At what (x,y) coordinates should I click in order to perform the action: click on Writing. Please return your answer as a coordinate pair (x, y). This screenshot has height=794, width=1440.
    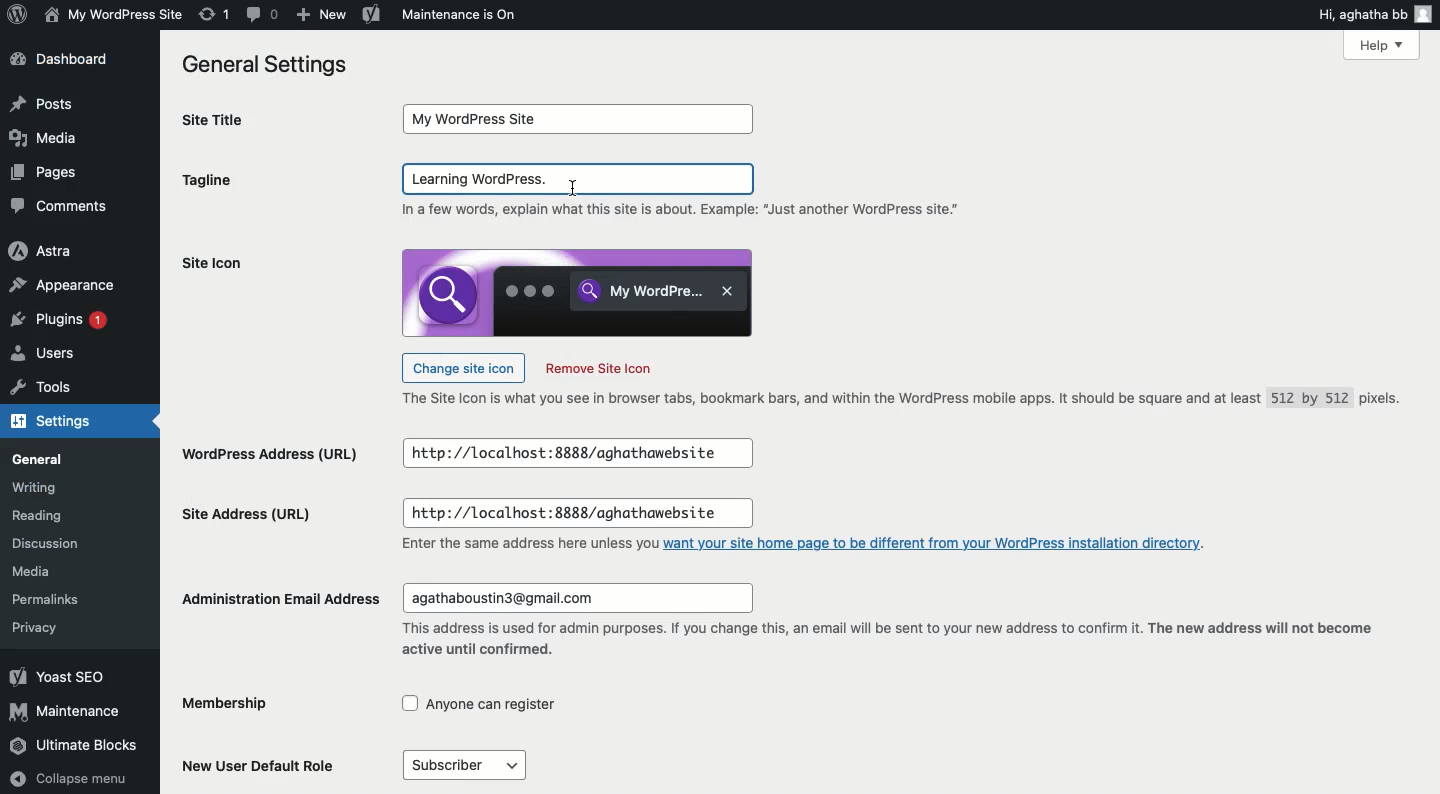
    Looking at the image, I should click on (35, 487).